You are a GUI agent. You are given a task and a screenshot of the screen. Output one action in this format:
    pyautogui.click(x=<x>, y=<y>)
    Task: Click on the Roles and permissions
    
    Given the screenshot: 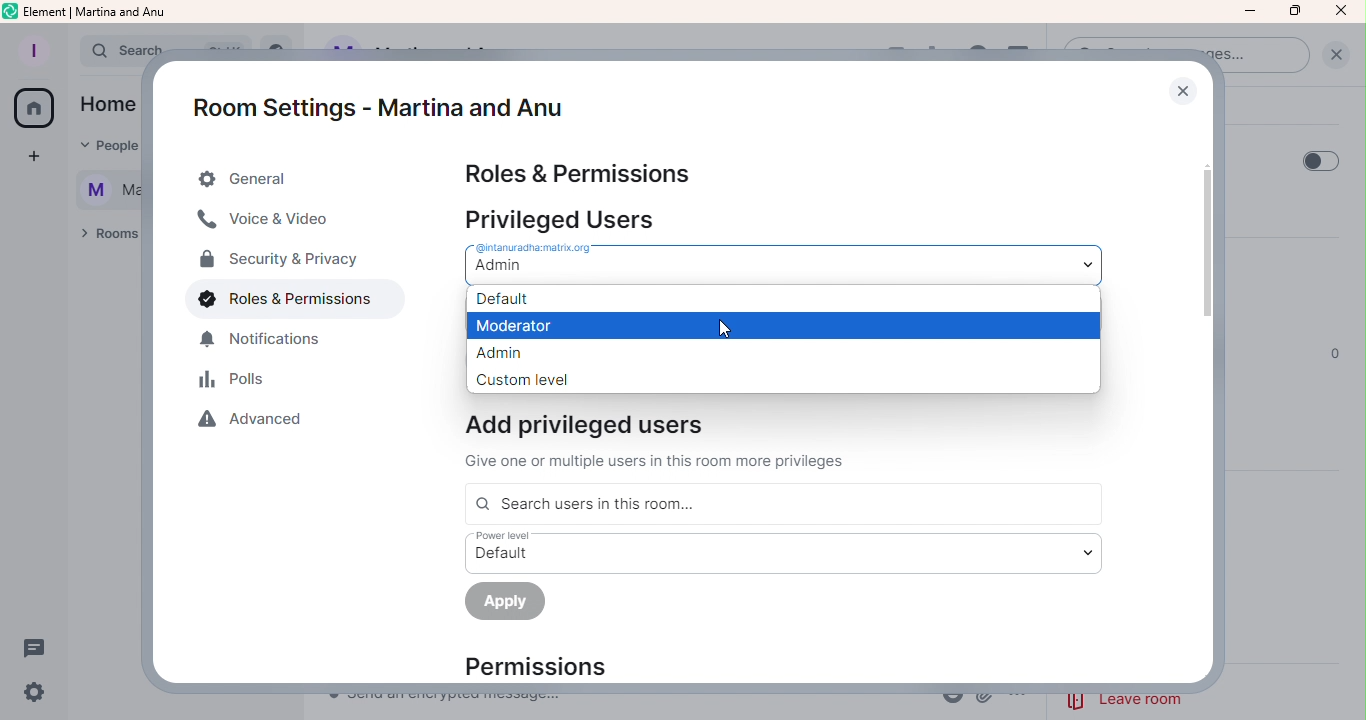 What is the action you would take?
    pyautogui.click(x=280, y=303)
    